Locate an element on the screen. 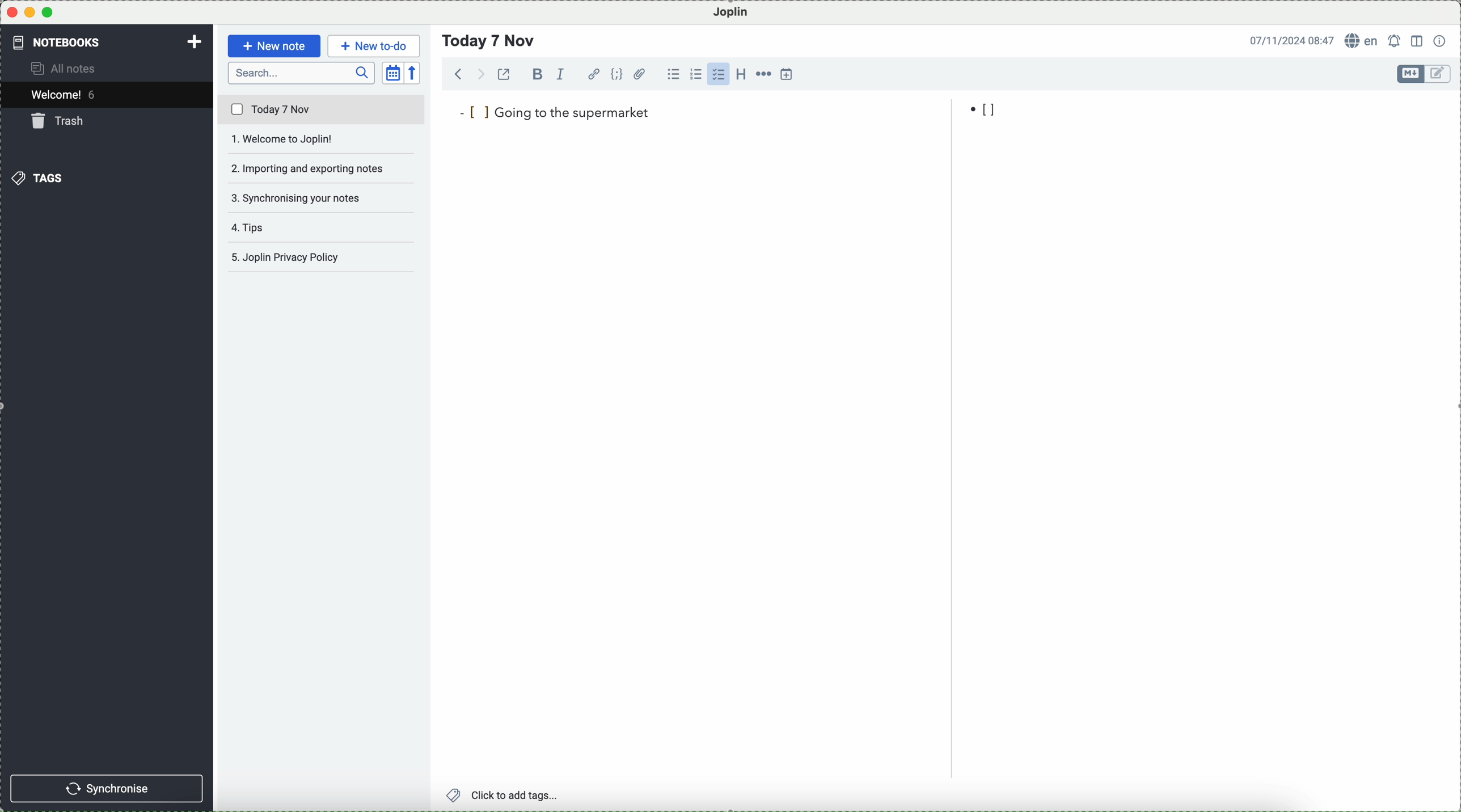  numbered list is located at coordinates (696, 74).